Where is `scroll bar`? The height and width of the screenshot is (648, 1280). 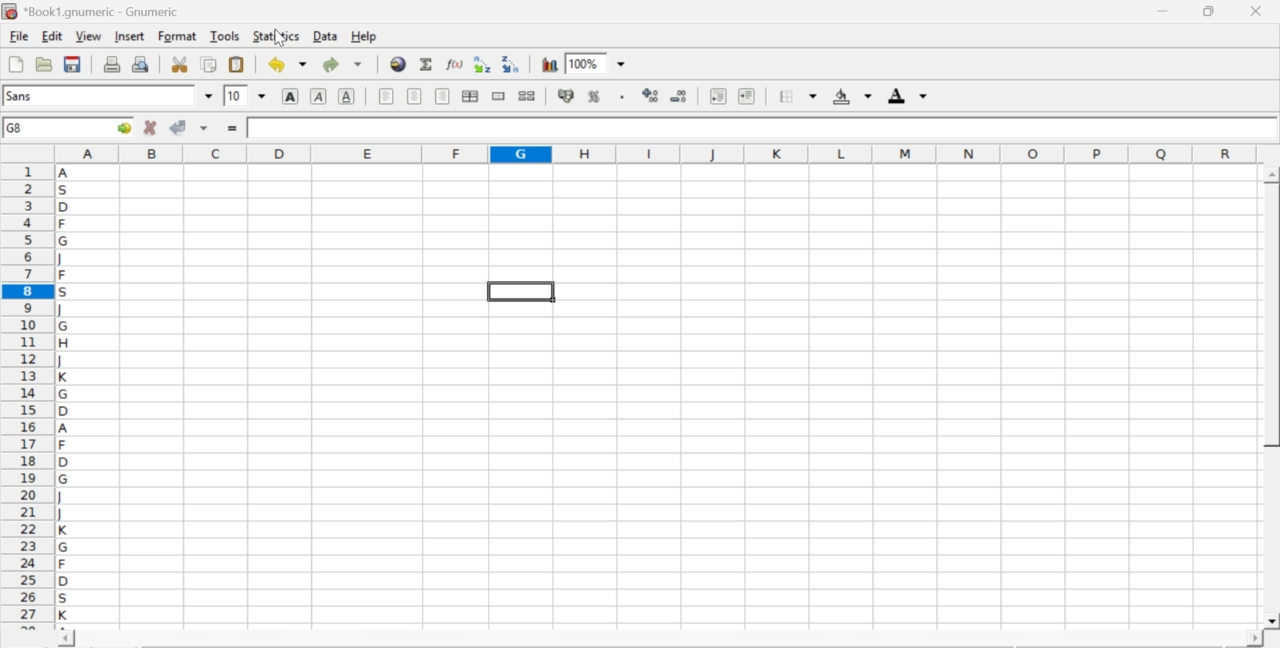 scroll bar is located at coordinates (1272, 398).